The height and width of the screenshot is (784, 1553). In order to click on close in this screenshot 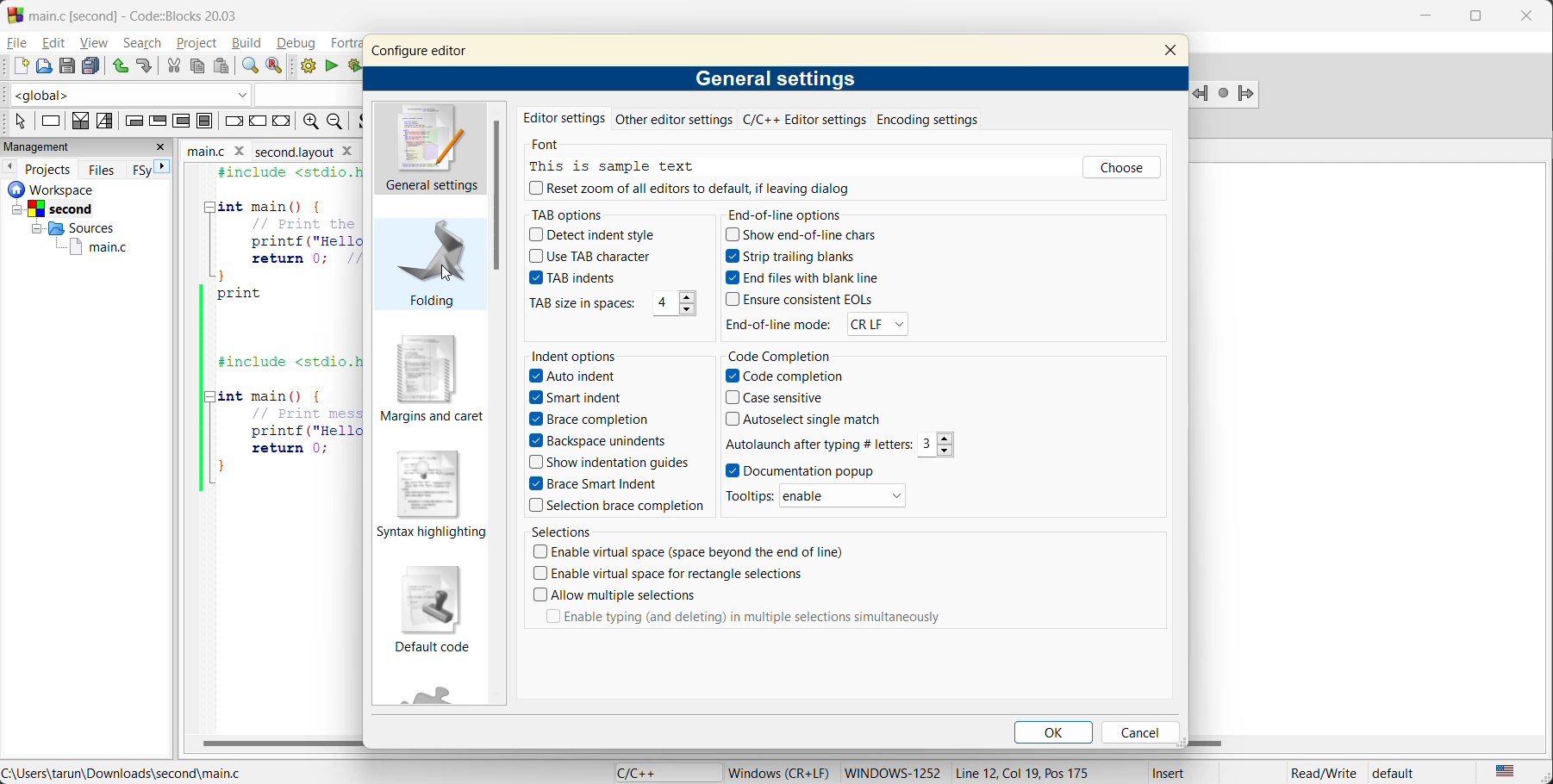, I will do `click(1172, 53)`.